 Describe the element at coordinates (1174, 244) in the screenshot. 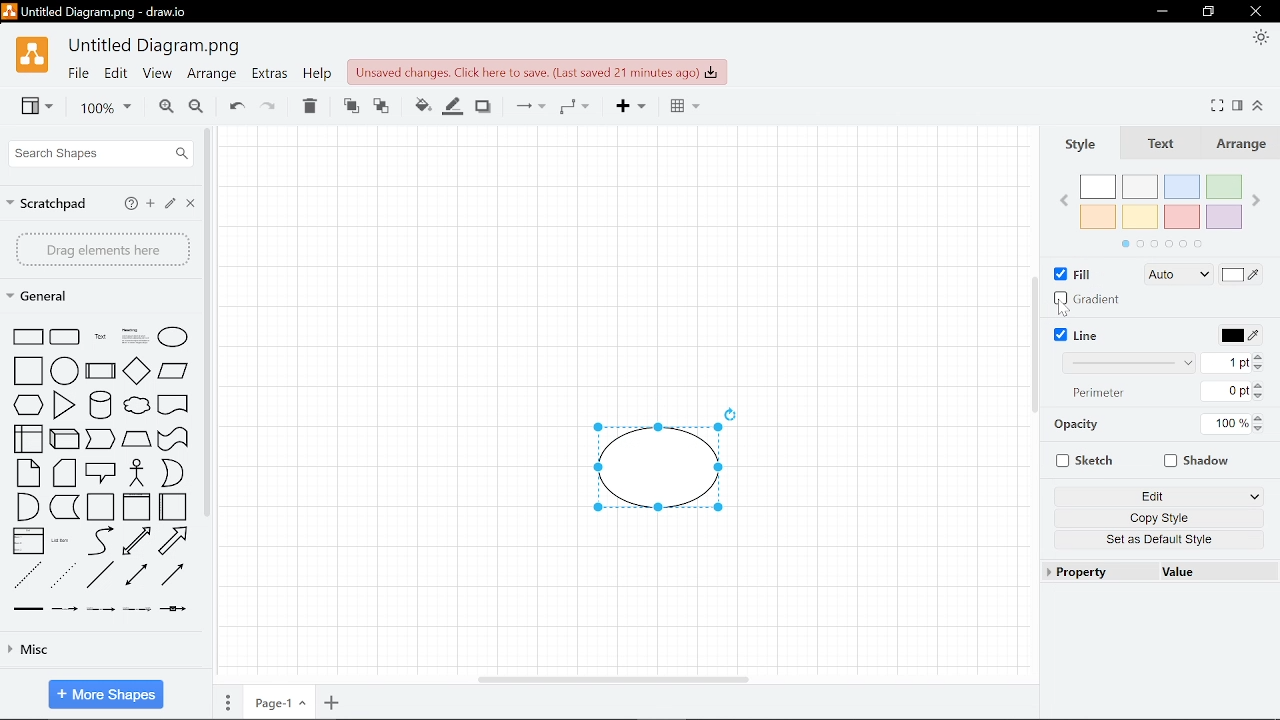

I see `Color palette navigation` at that location.